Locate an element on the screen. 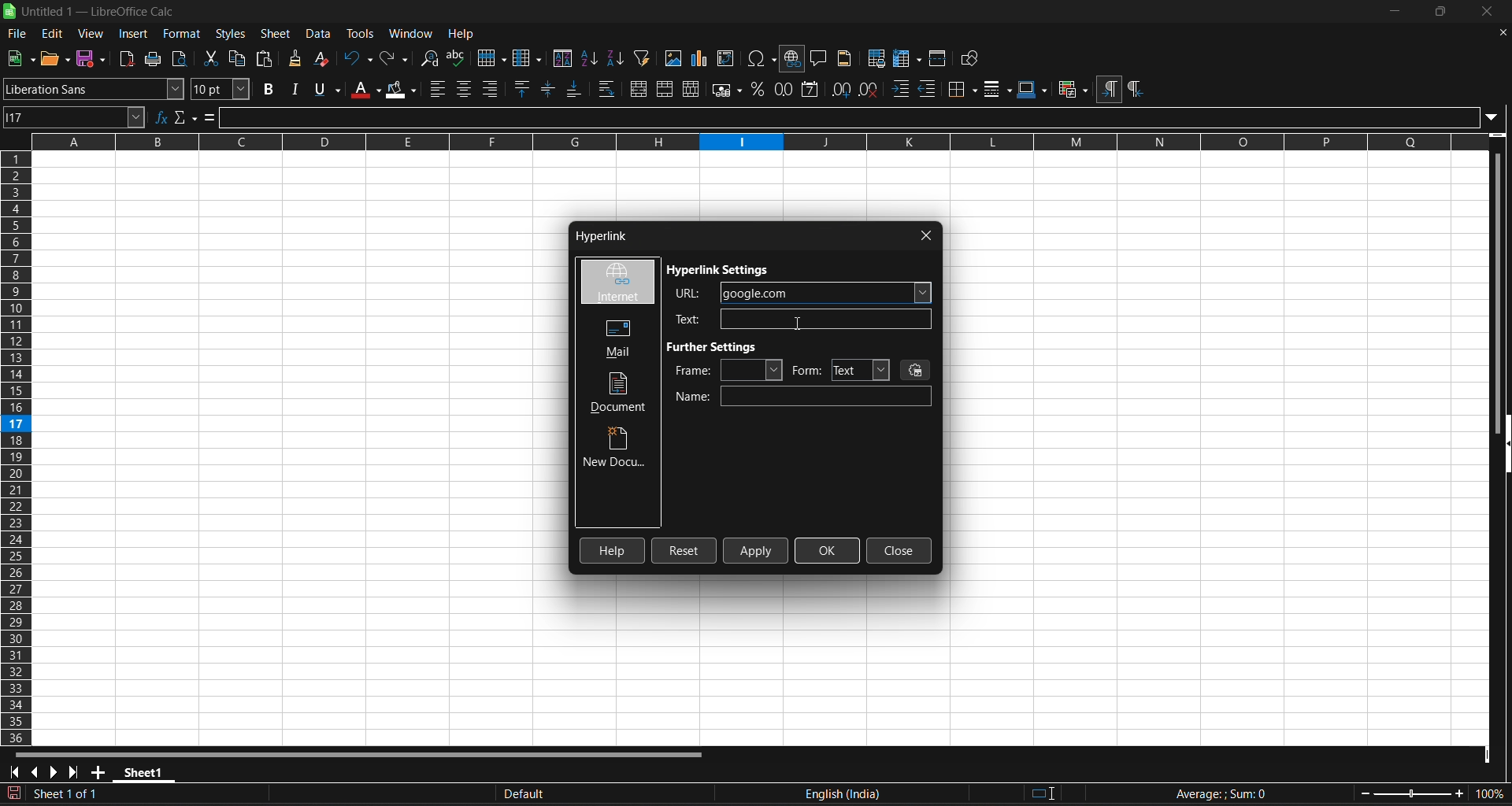  close is located at coordinates (1484, 11).